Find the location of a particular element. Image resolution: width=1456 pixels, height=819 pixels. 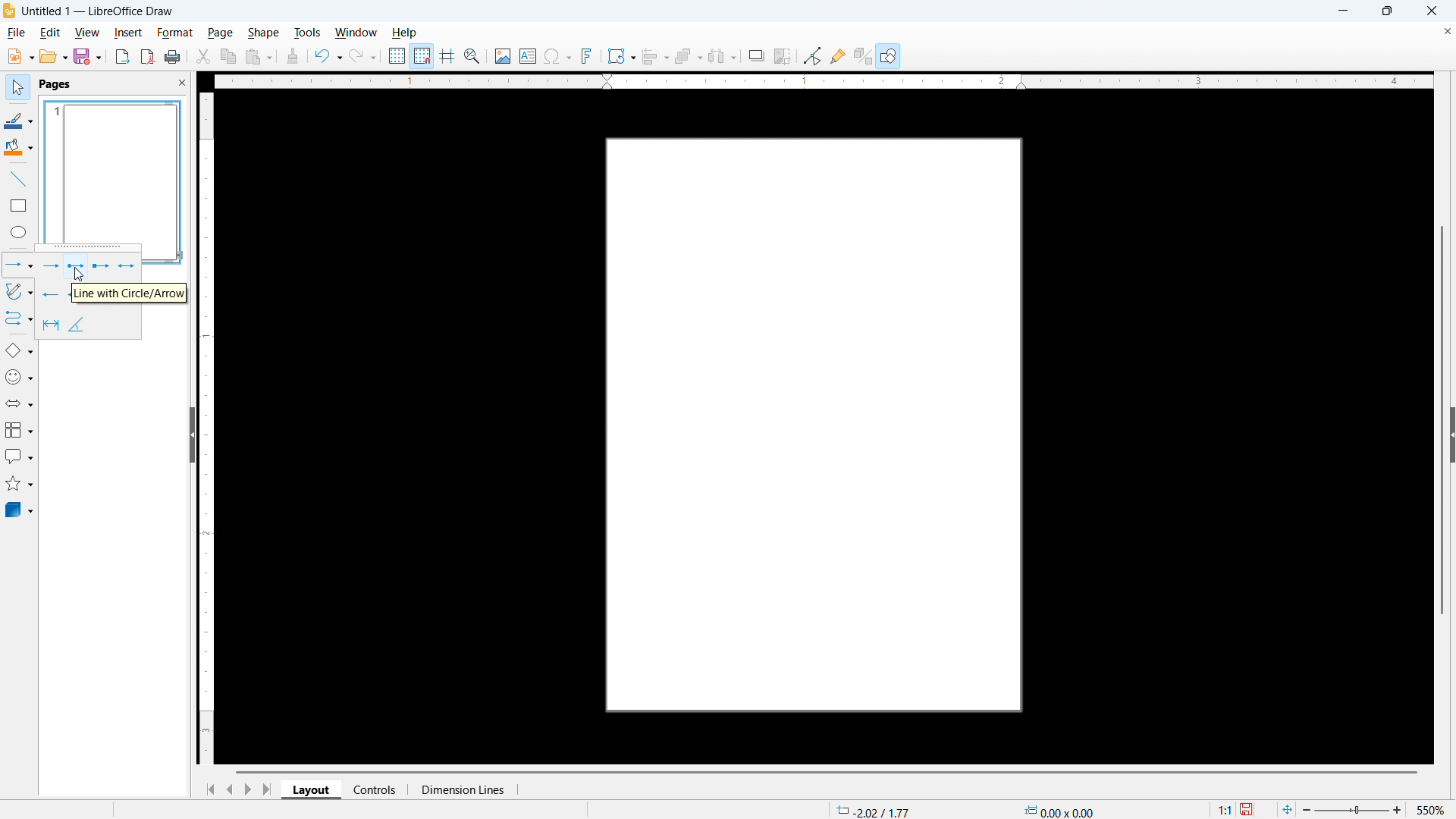

Fit to page  is located at coordinates (1286, 807).